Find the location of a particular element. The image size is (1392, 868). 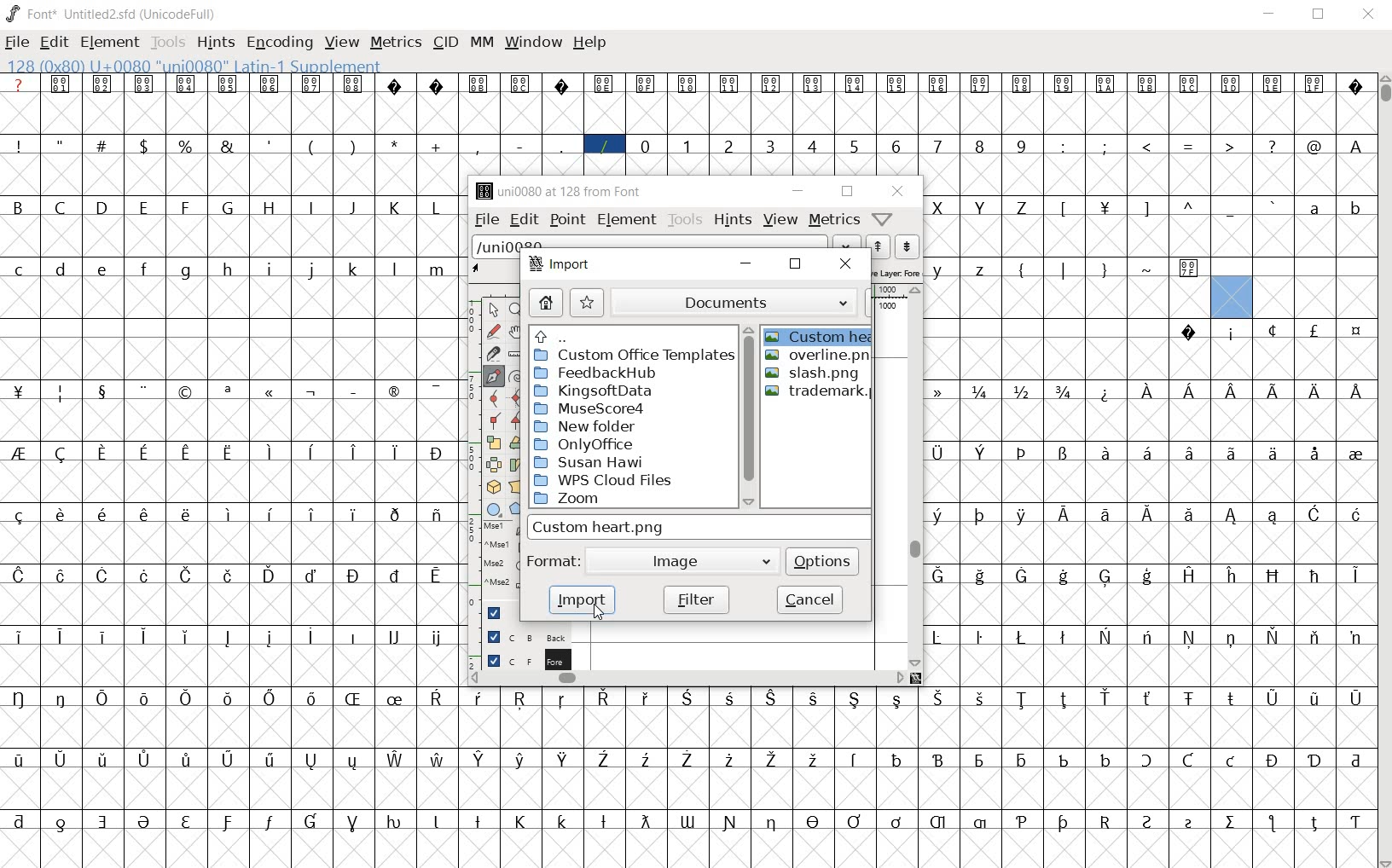

glyph is located at coordinates (1231, 761).